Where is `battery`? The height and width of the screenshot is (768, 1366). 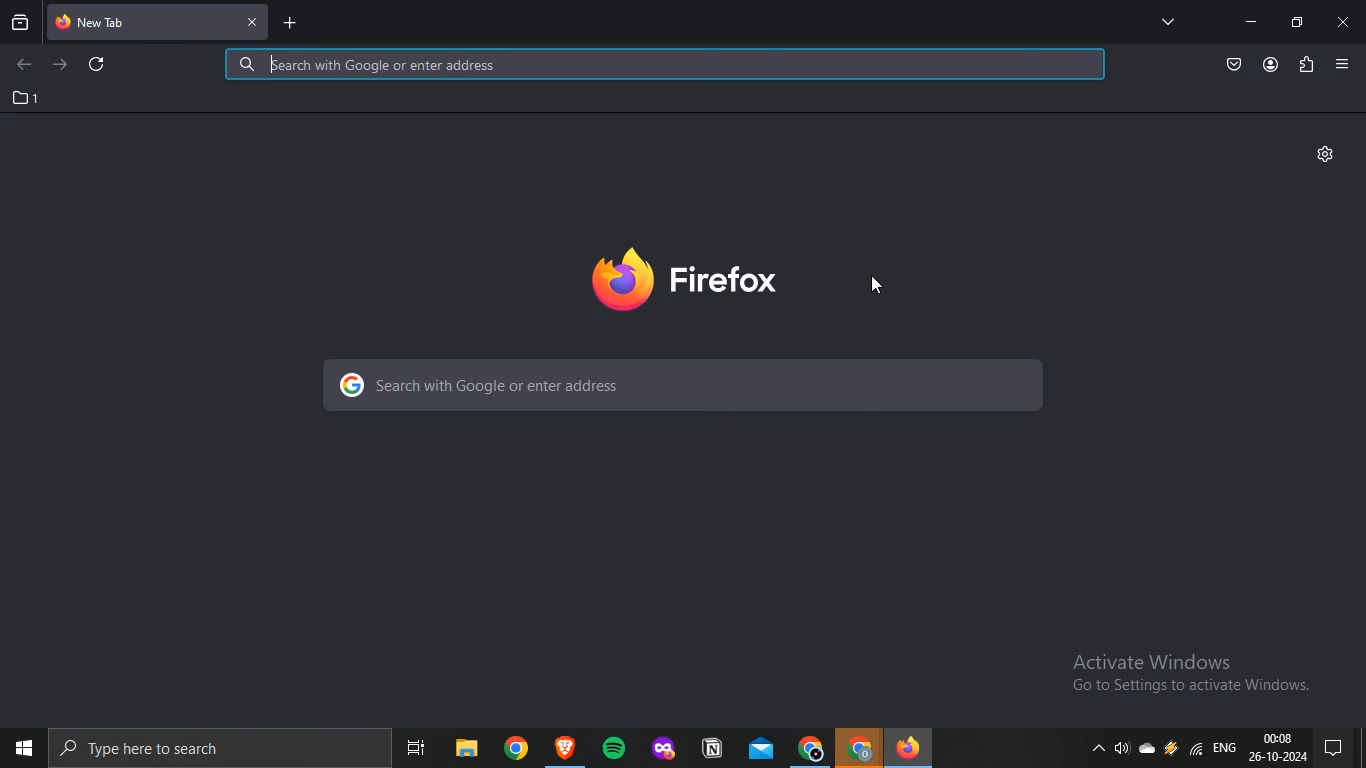
battery is located at coordinates (1169, 754).